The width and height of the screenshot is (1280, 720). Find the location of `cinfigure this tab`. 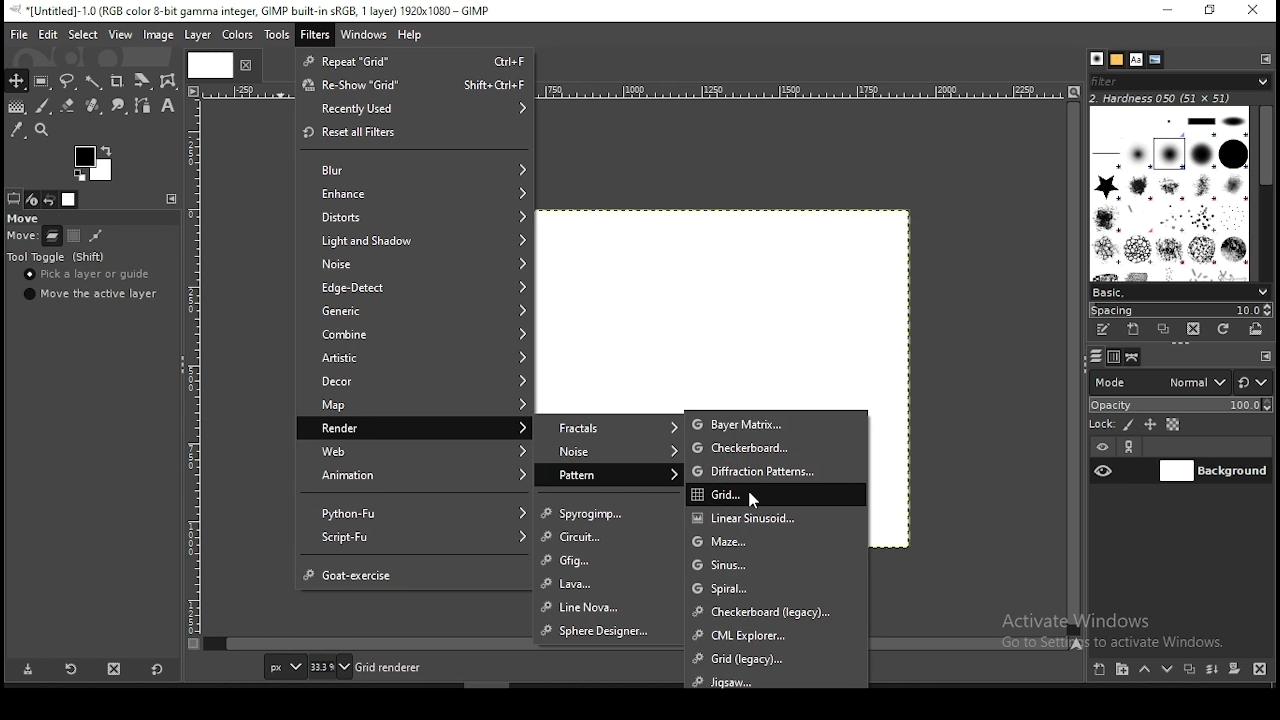

cinfigure this tab is located at coordinates (1267, 356).